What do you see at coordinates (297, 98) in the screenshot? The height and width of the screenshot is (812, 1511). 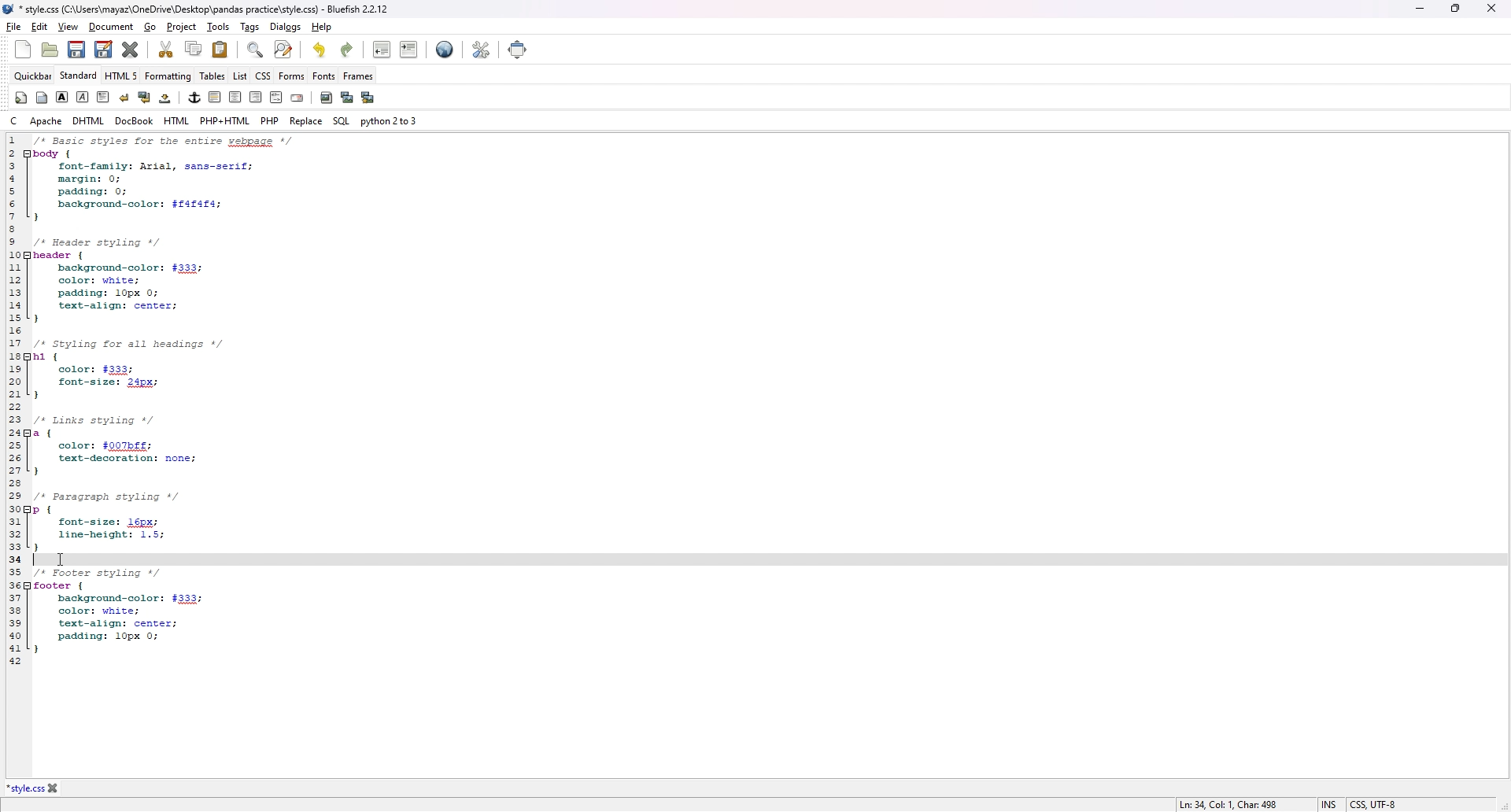 I see `email` at bounding box center [297, 98].